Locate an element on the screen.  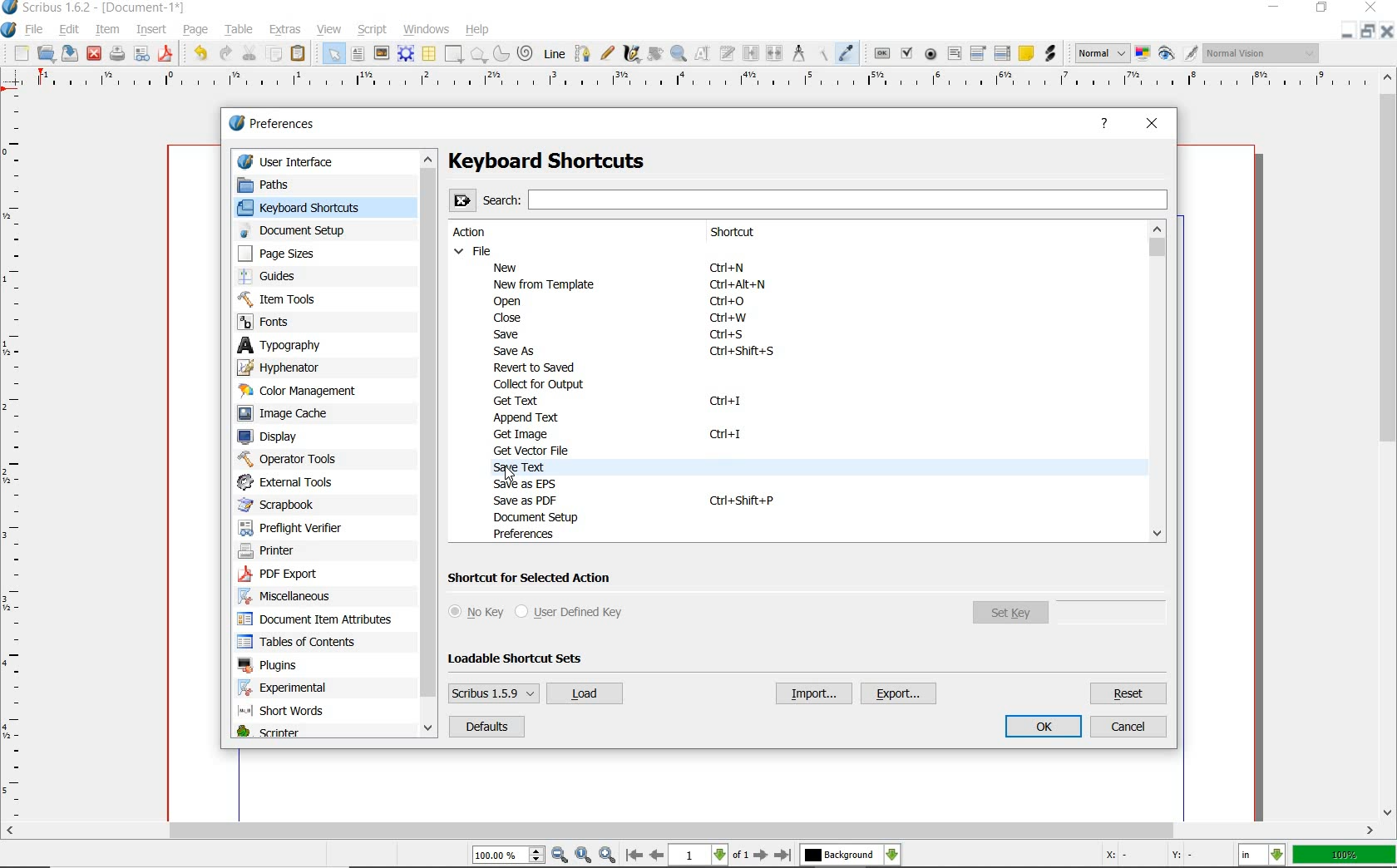
polygon is located at coordinates (478, 55).